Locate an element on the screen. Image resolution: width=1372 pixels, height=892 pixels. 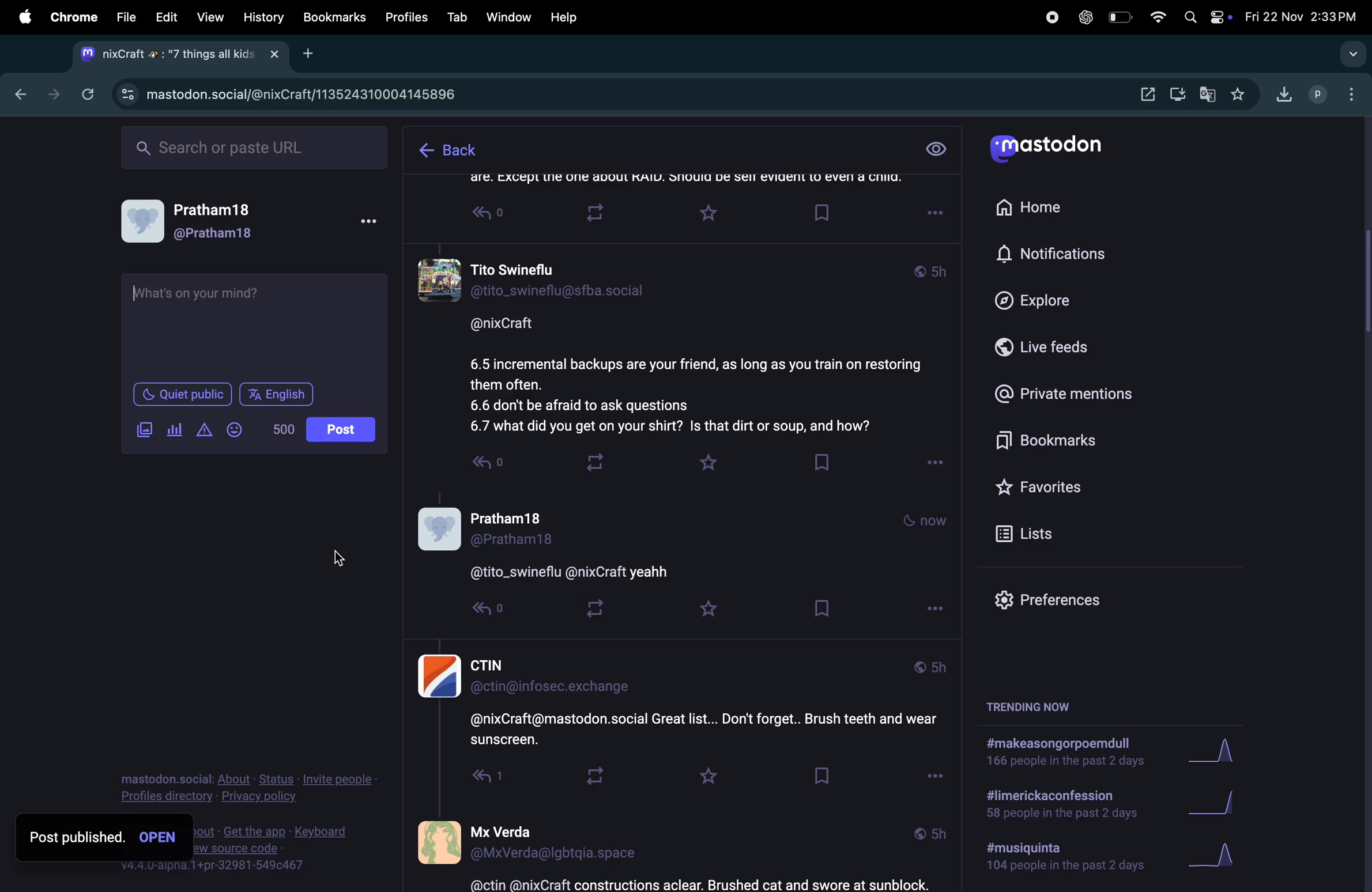
translate is located at coordinates (1211, 96).